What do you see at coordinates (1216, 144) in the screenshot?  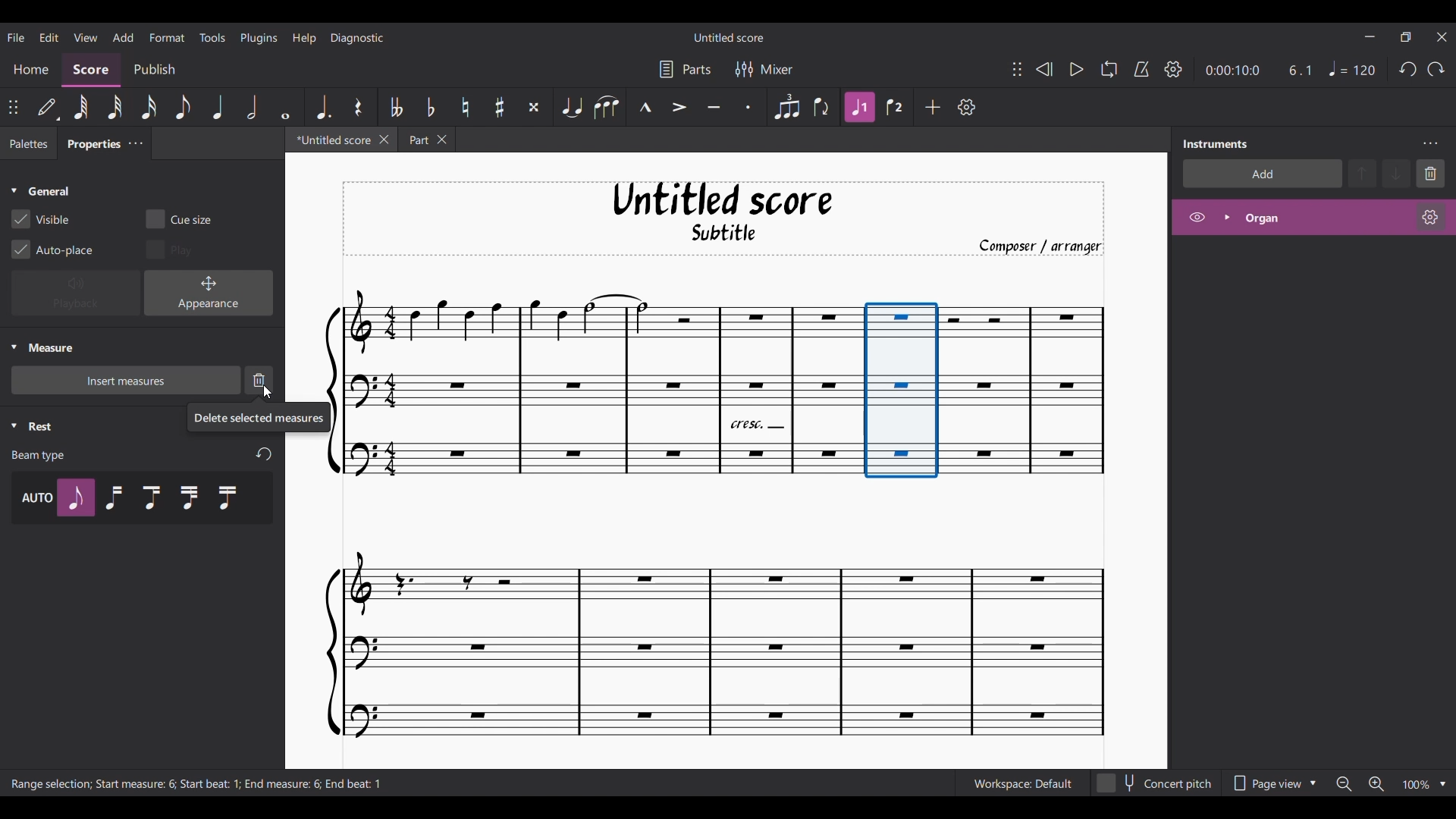 I see `Panel title` at bounding box center [1216, 144].